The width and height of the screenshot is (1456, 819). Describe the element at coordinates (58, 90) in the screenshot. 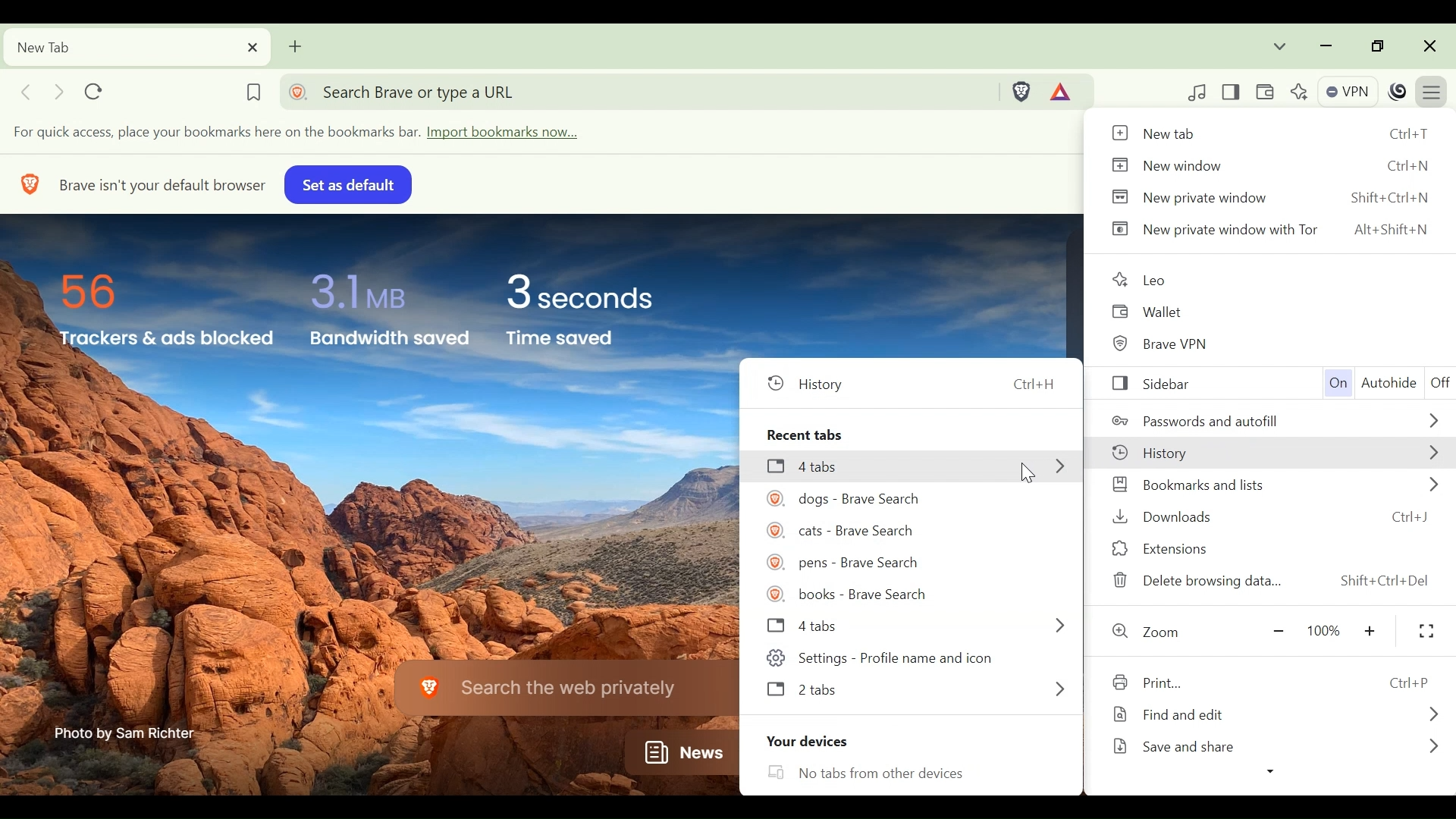

I see `Click to go forward` at that location.